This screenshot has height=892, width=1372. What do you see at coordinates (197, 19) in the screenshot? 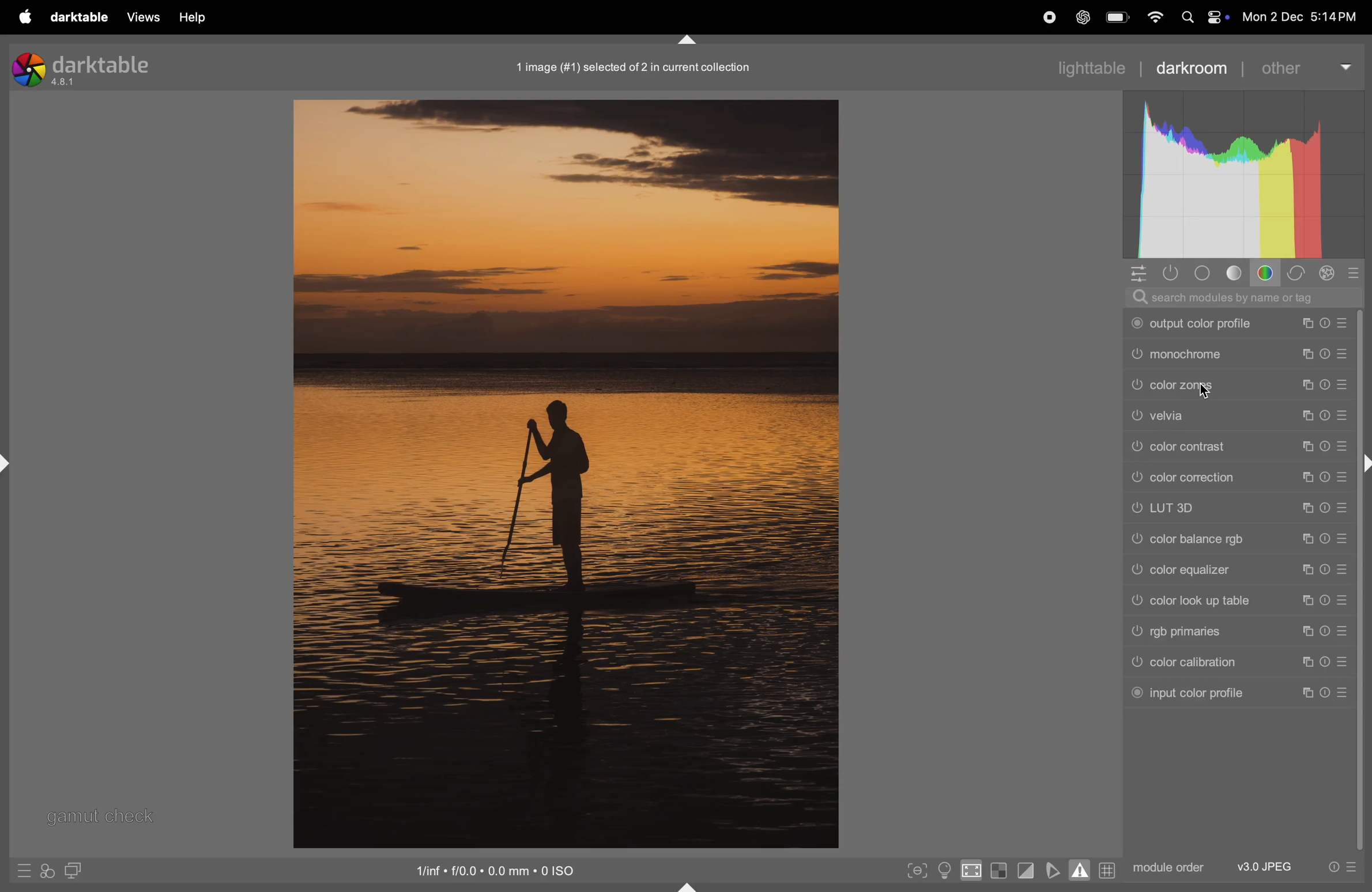
I see `help` at bounding box center [197, 19].